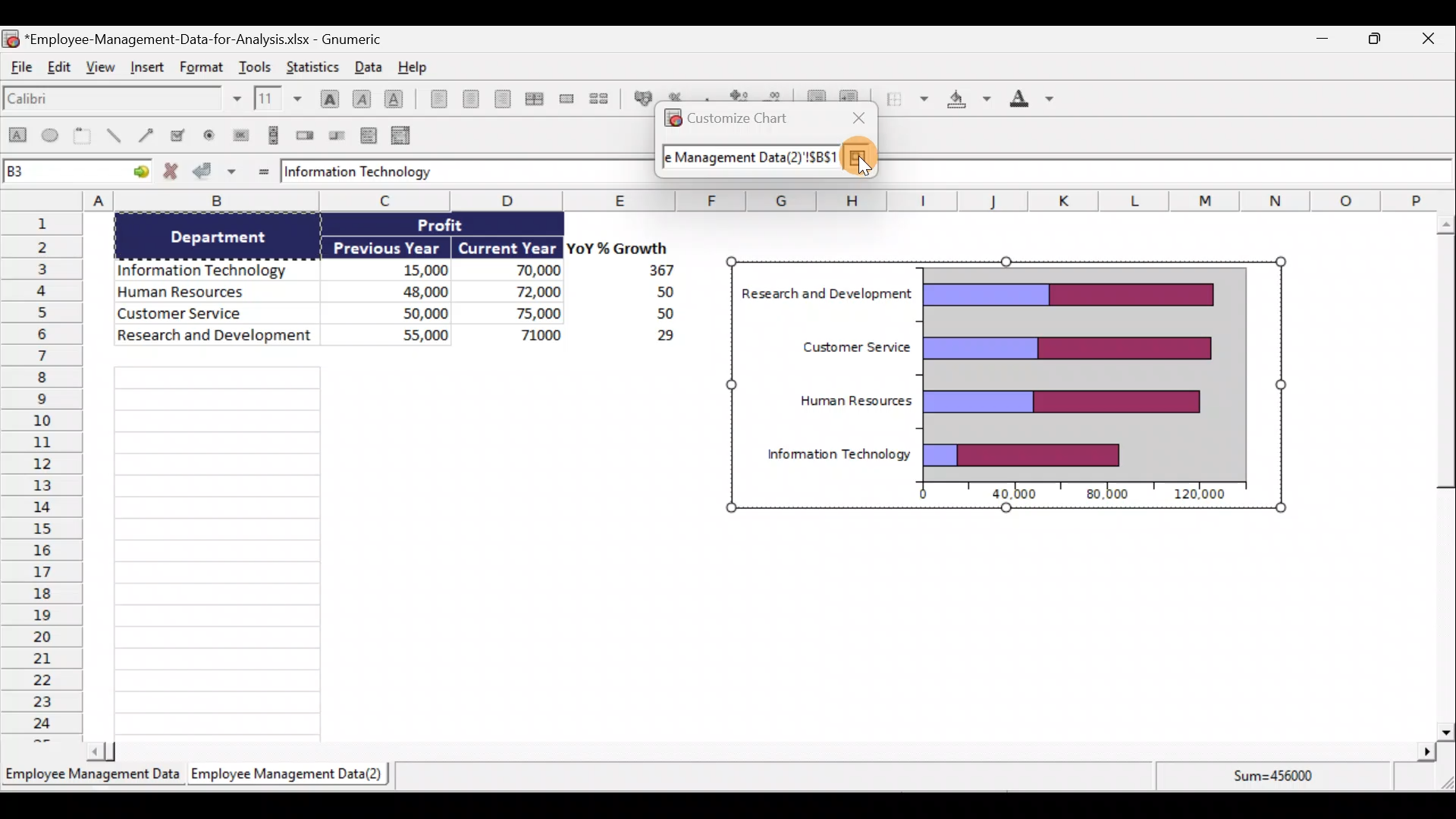  Describe the element at coordinates (42, 475) in the screenshot. I see `Rows` at that location.